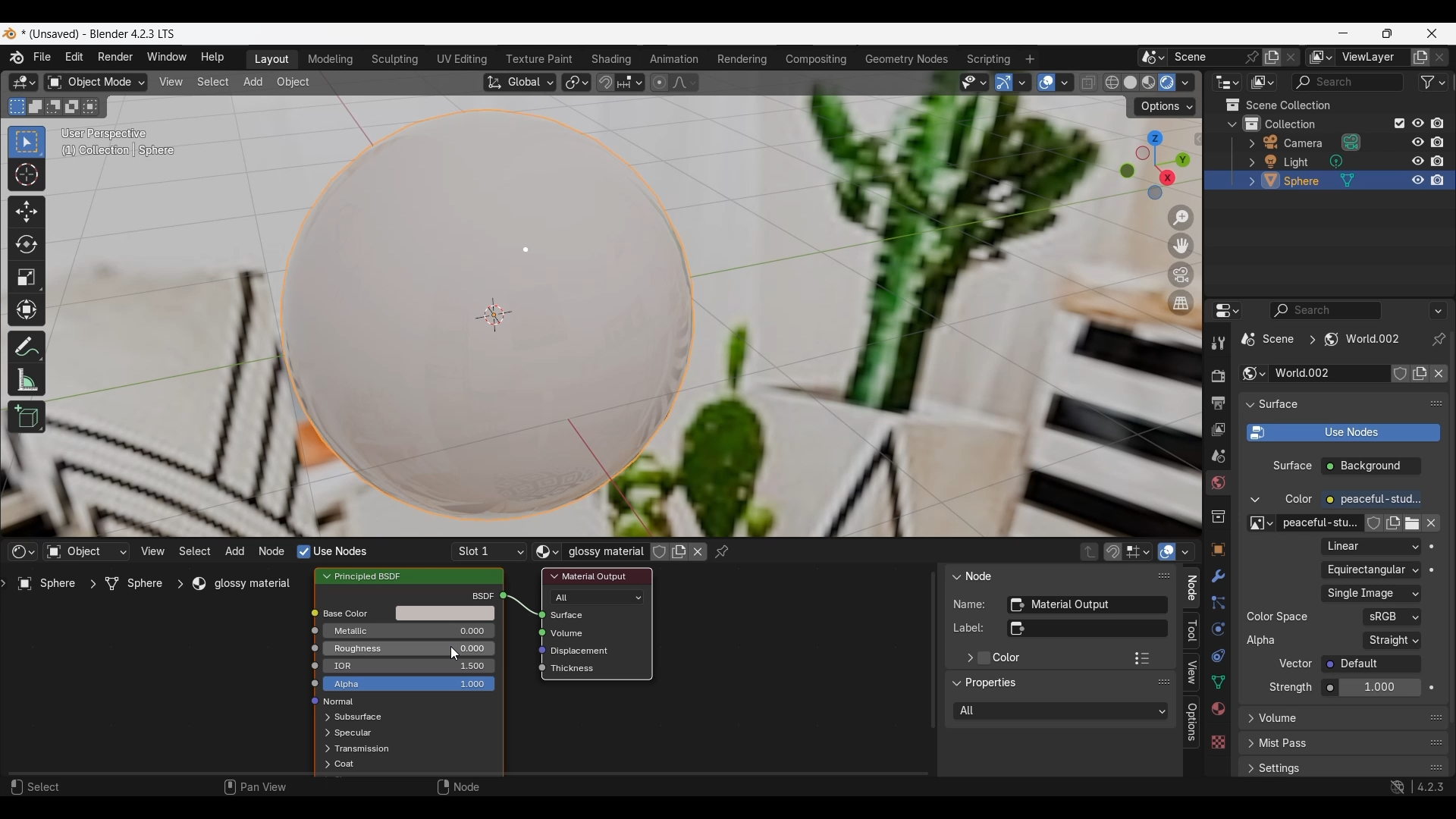  Describe the element at coordinates (1442, 161) in the screenshot. I see `disable all respective renders` at that location.